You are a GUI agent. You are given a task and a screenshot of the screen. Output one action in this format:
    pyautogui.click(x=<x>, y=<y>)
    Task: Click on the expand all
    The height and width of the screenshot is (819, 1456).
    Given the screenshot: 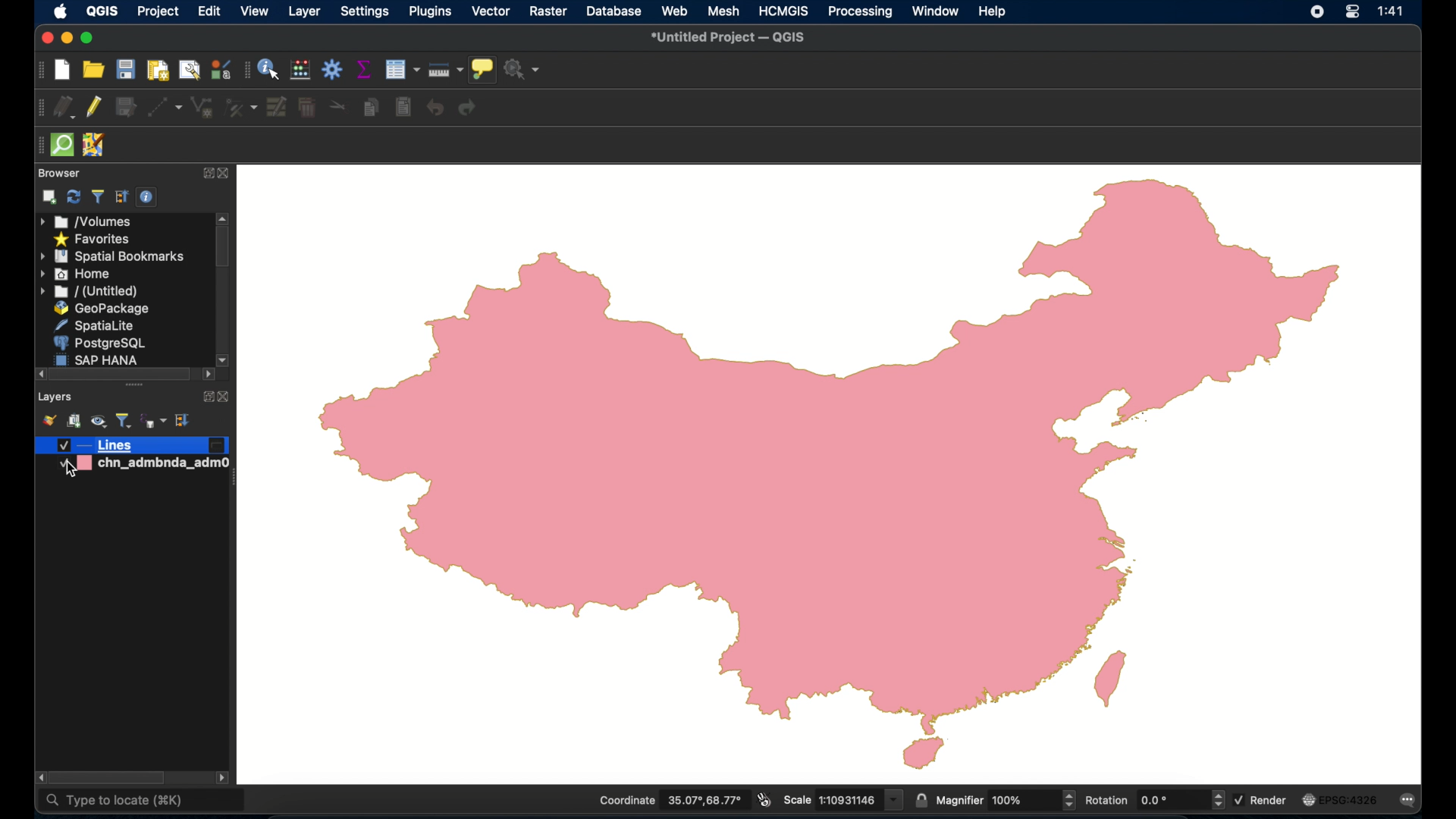 What is the action you would take?
    pyautogui.click(x=122, y=197)
    